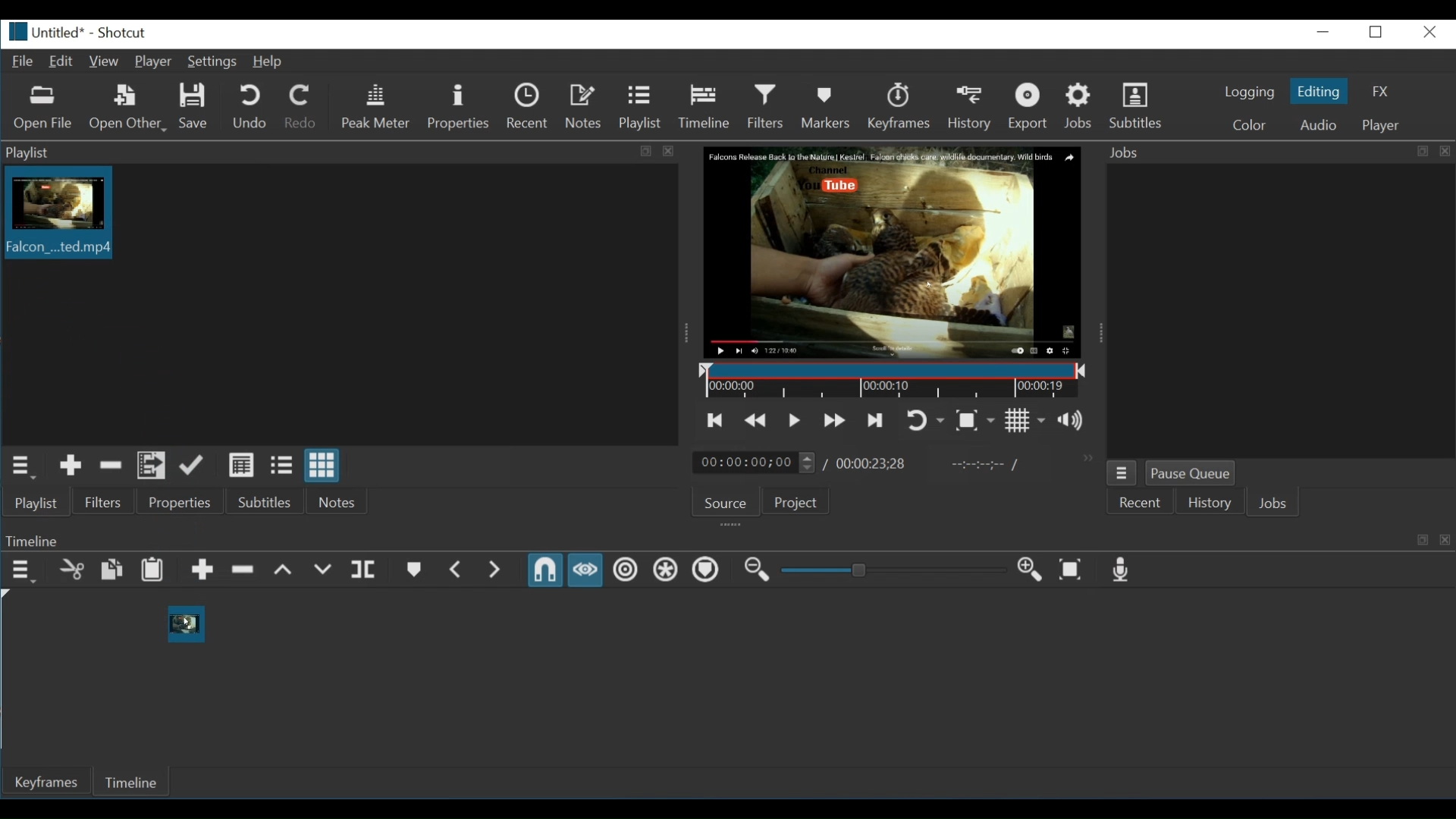  Describe the element at coordinates (1205, 505) in the screenshot. I see `History` at that location.